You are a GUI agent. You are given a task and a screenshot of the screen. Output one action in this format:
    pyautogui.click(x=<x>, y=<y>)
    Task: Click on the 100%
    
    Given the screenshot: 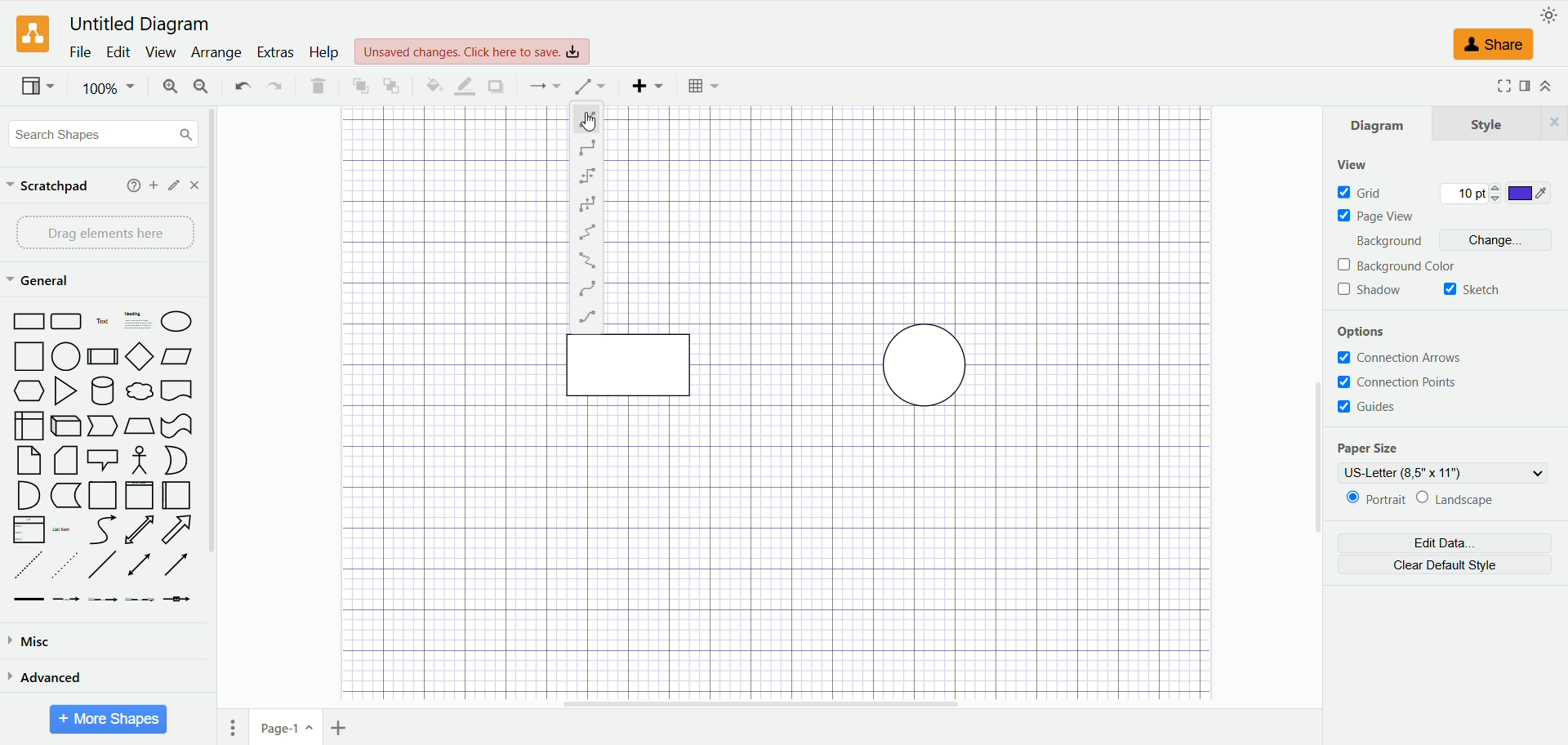 What is the action you would take?
    pyautogui.click(x=109, y=87)
    